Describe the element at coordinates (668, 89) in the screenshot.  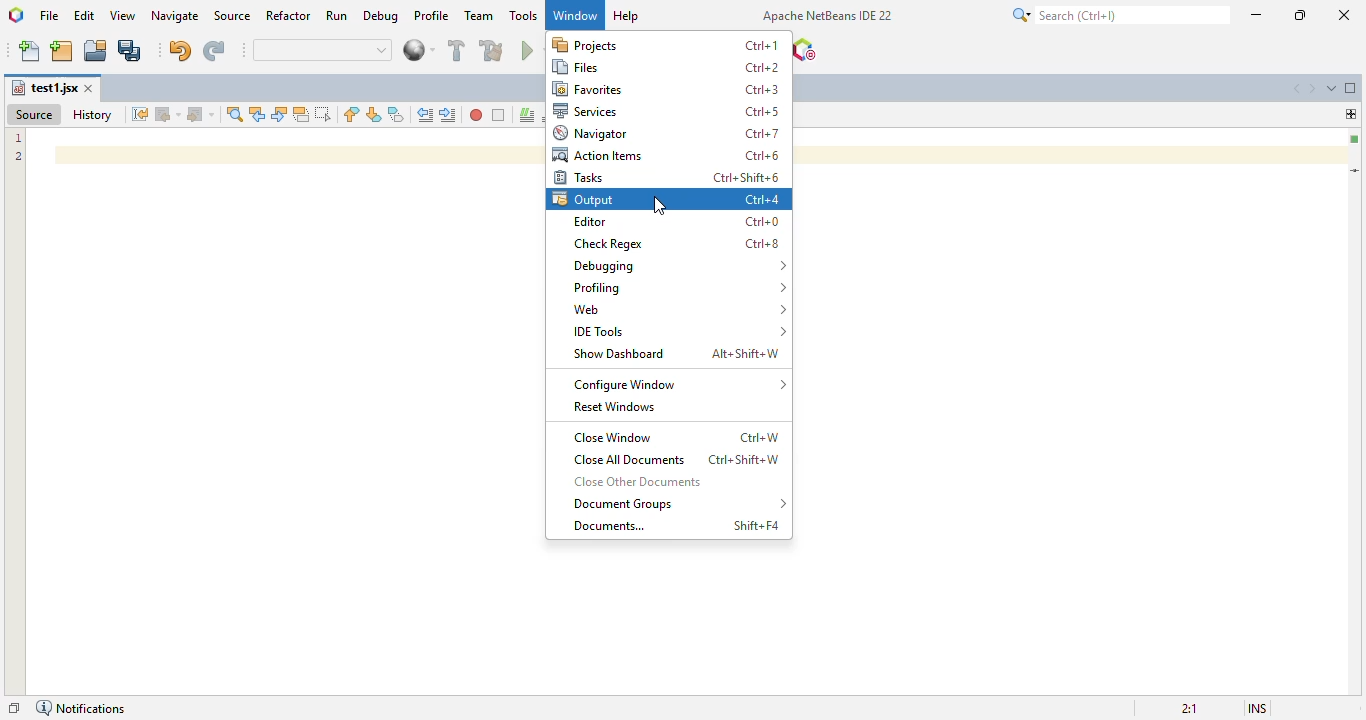
I see `Favorites Ctrl + 3` at that location.